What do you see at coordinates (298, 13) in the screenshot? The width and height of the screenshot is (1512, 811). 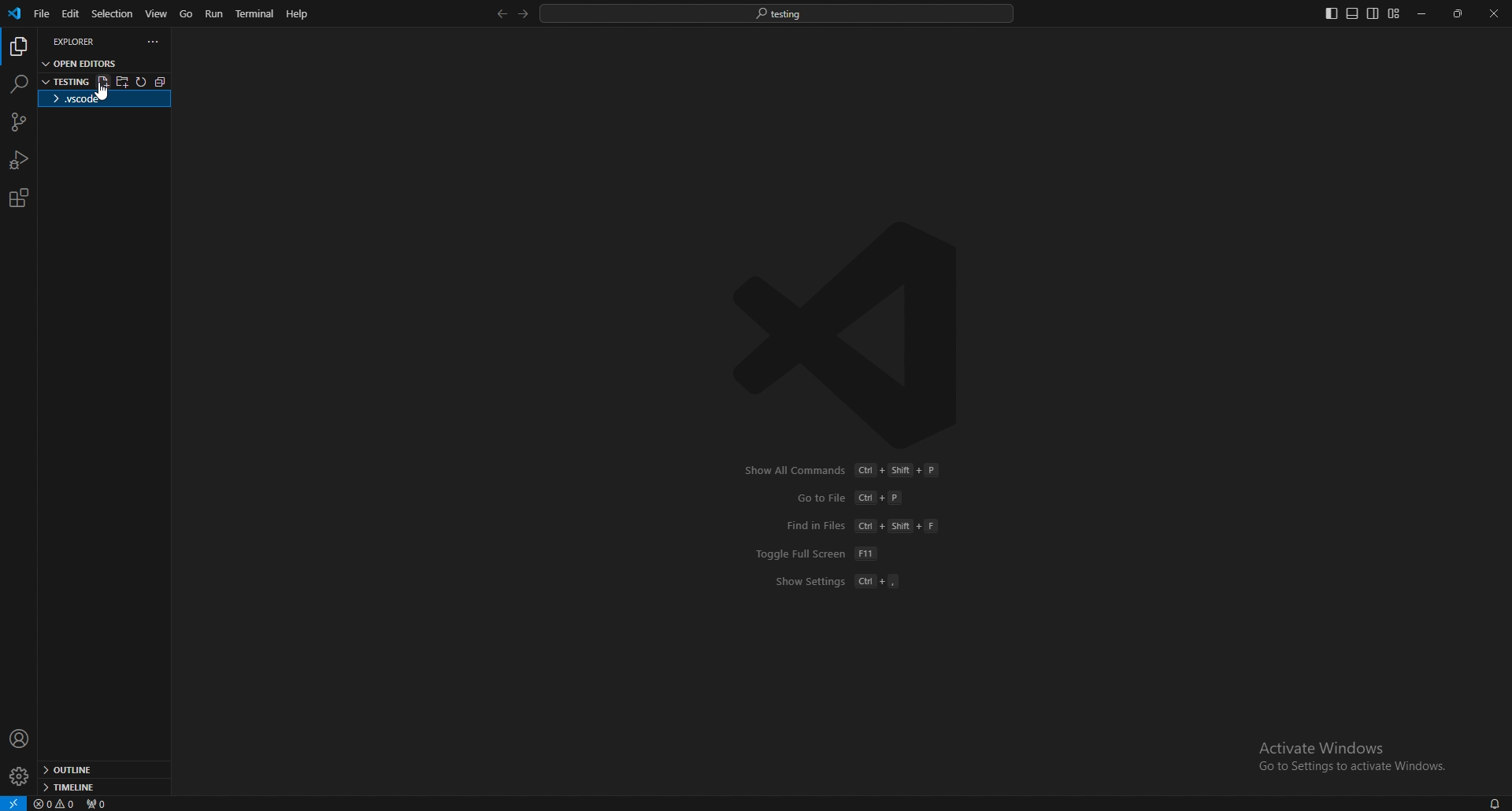 I see `help` at bounding box center [298, 13].